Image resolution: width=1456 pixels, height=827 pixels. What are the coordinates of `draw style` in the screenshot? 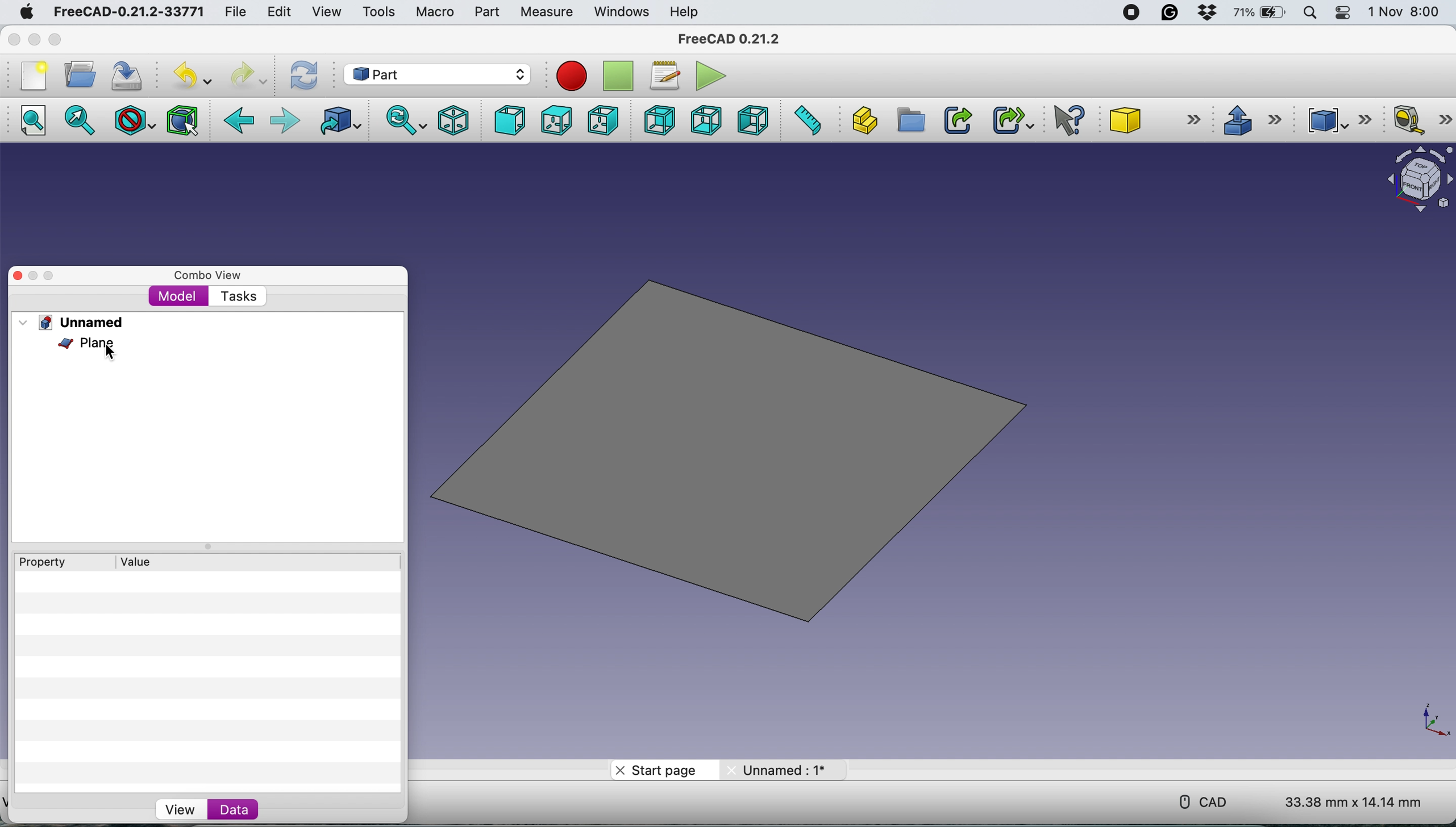 It's located at (133, 121).